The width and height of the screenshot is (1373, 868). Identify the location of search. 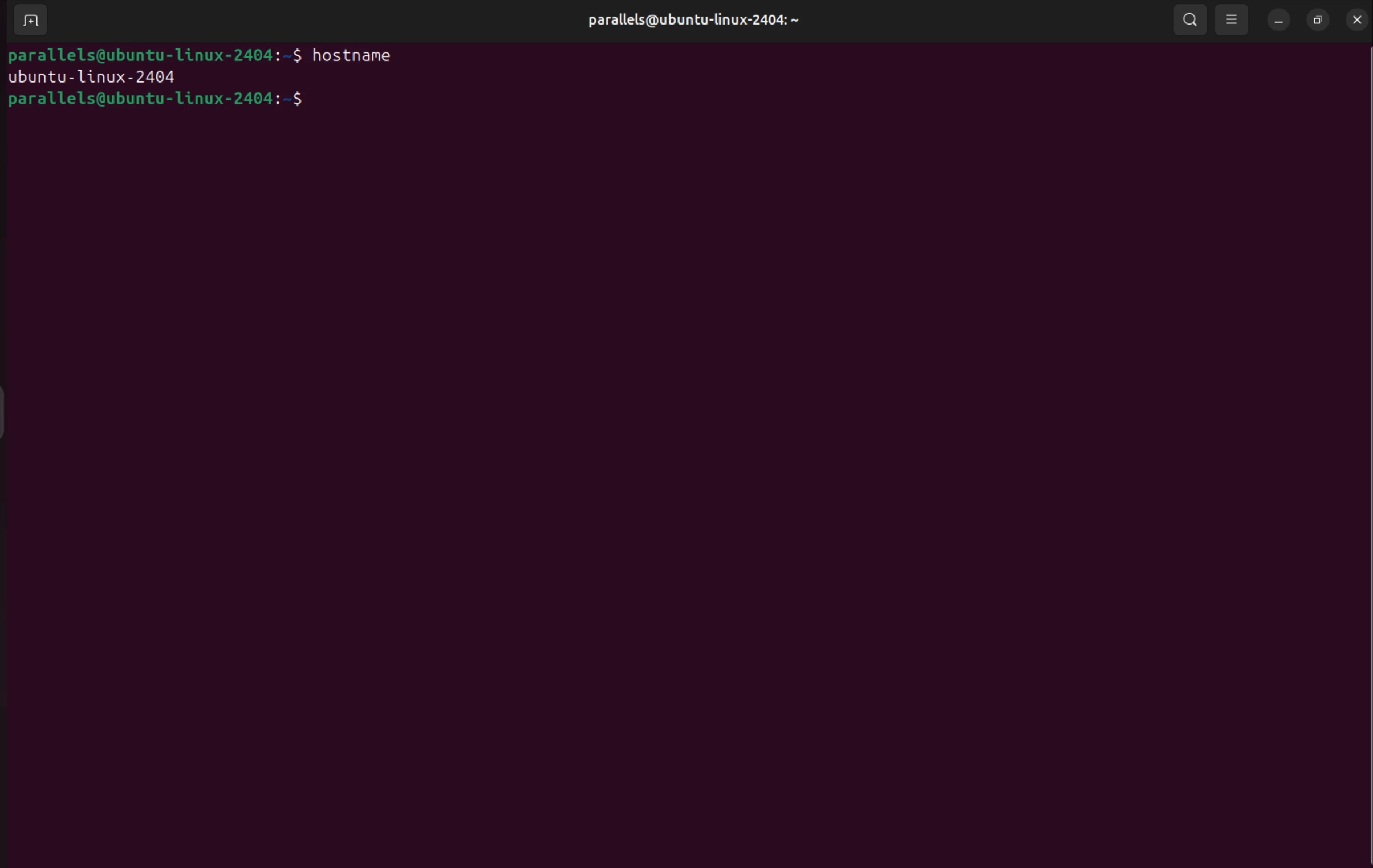
(1191, 22).